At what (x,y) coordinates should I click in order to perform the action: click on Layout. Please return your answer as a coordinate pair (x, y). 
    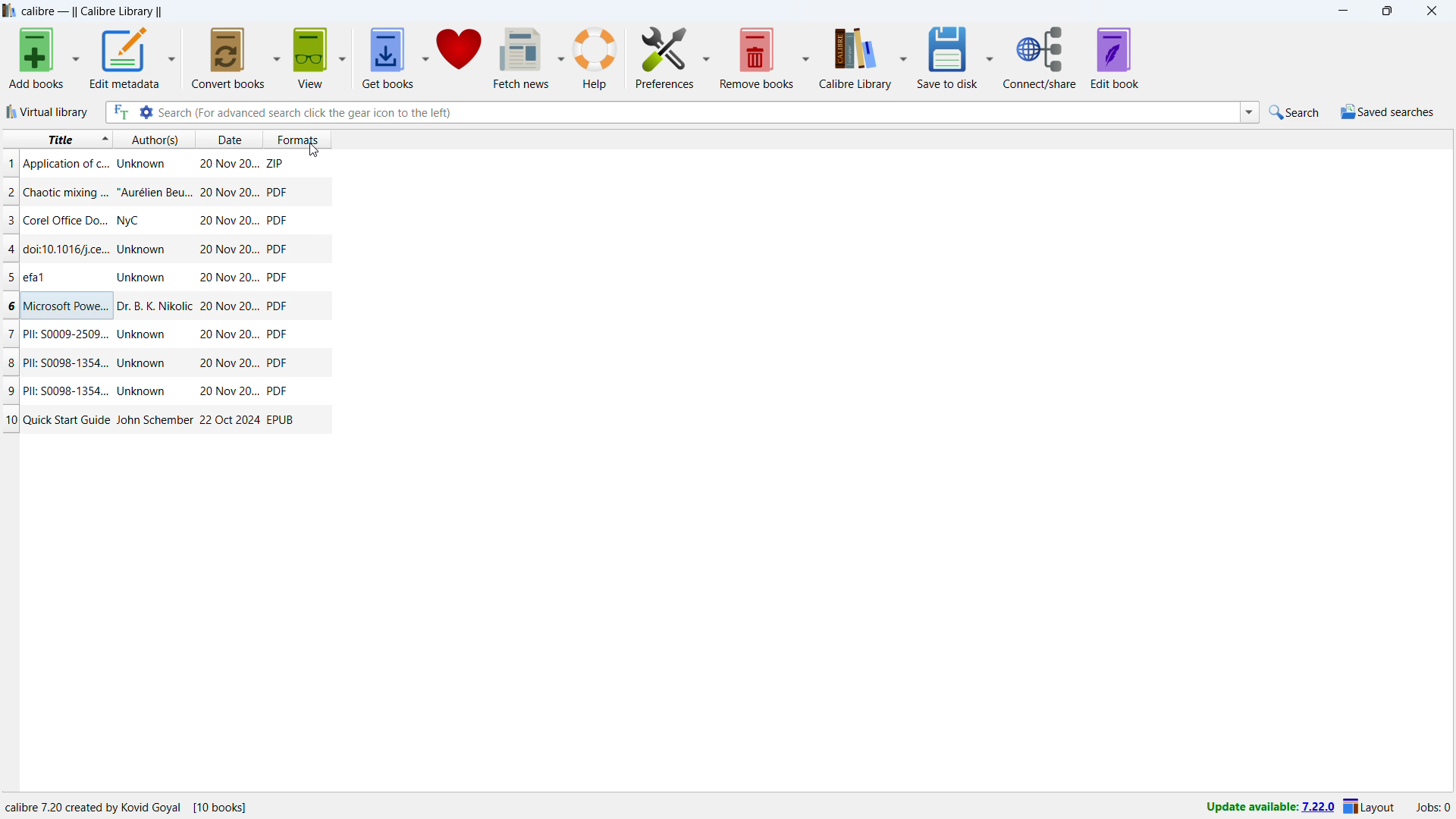
    Looking at the image, I should click on (1370, 806).